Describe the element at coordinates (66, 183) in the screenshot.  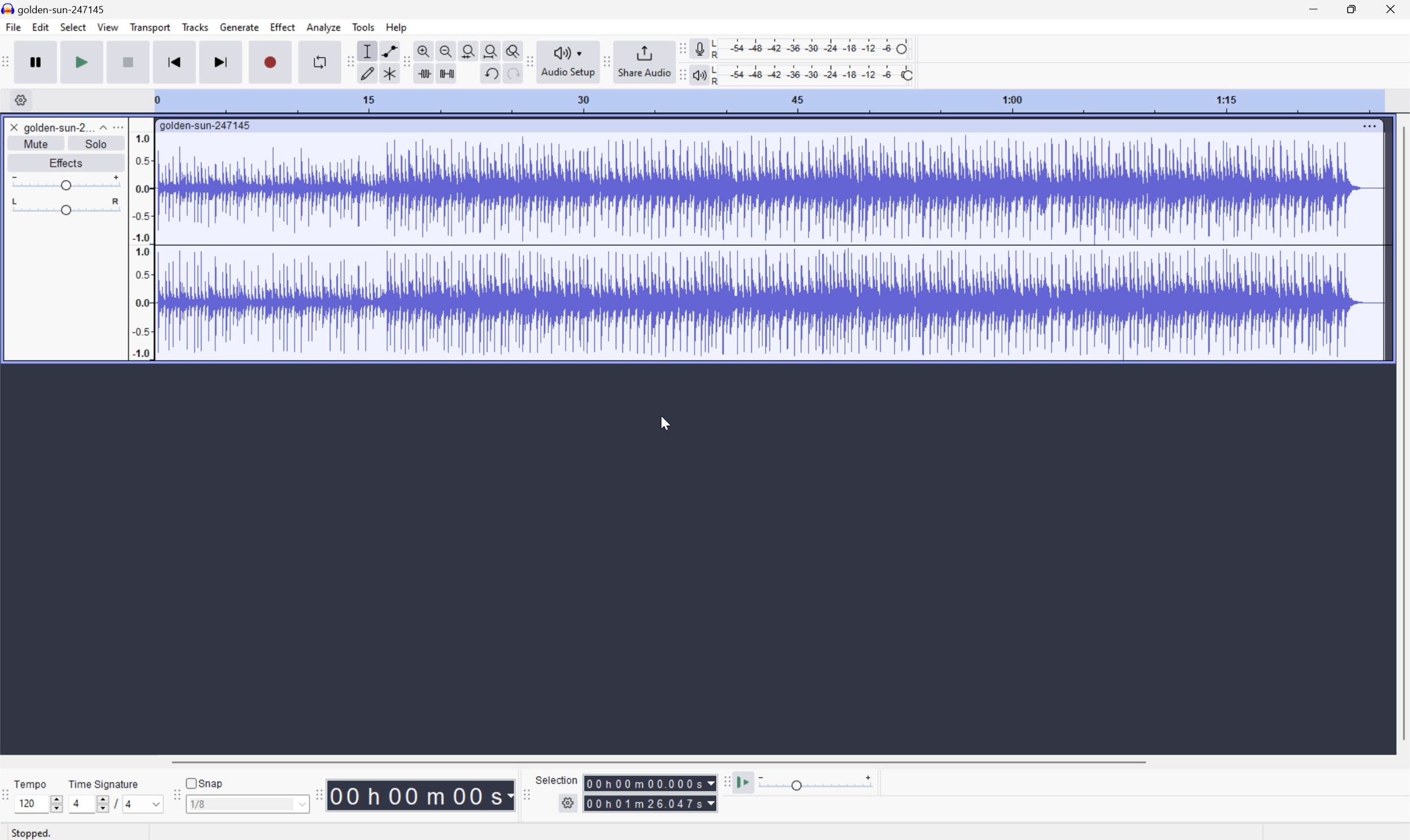
I see `Slider` at that location.